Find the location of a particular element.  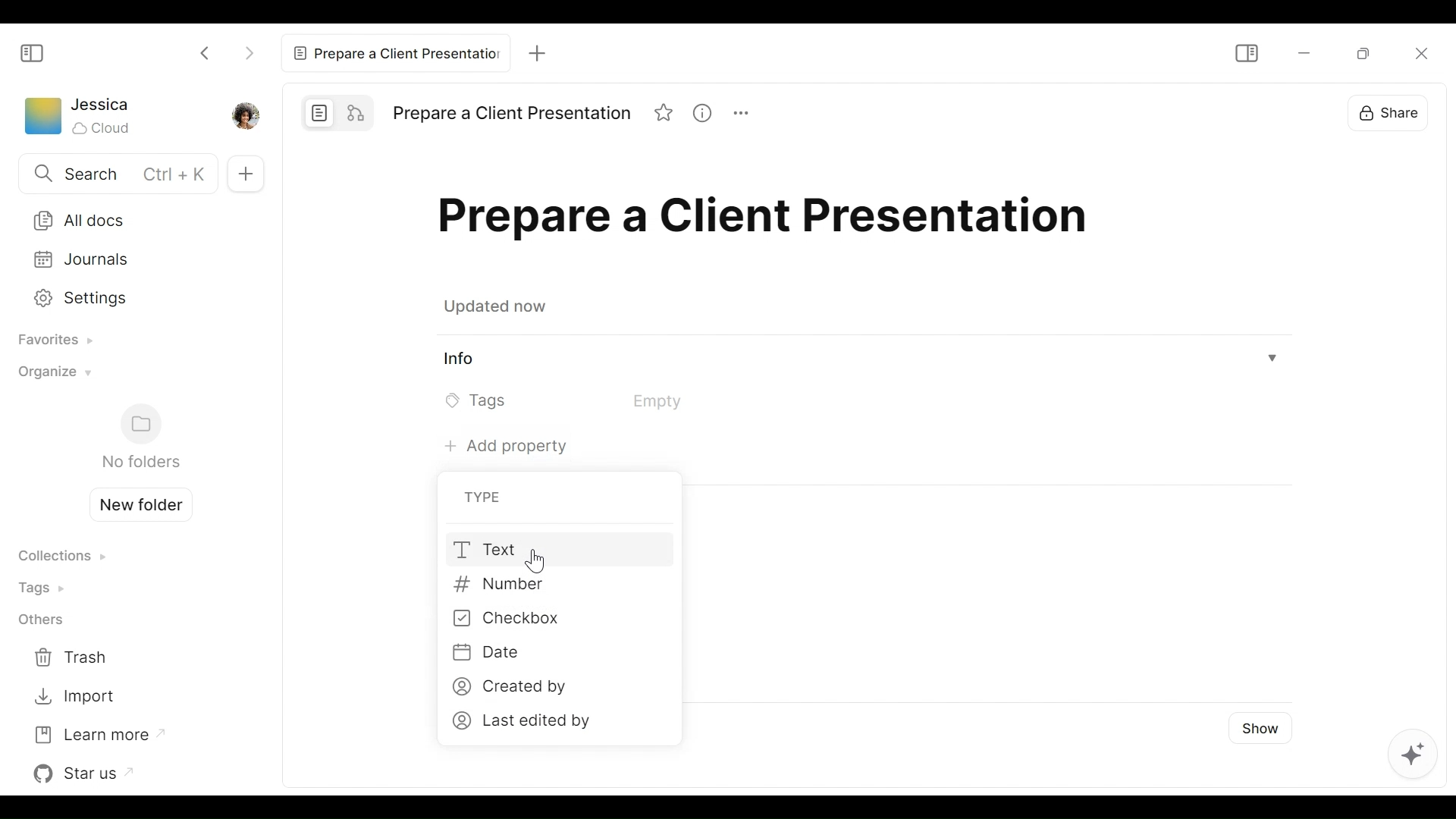

Trash is located at coordinates (74, 658).